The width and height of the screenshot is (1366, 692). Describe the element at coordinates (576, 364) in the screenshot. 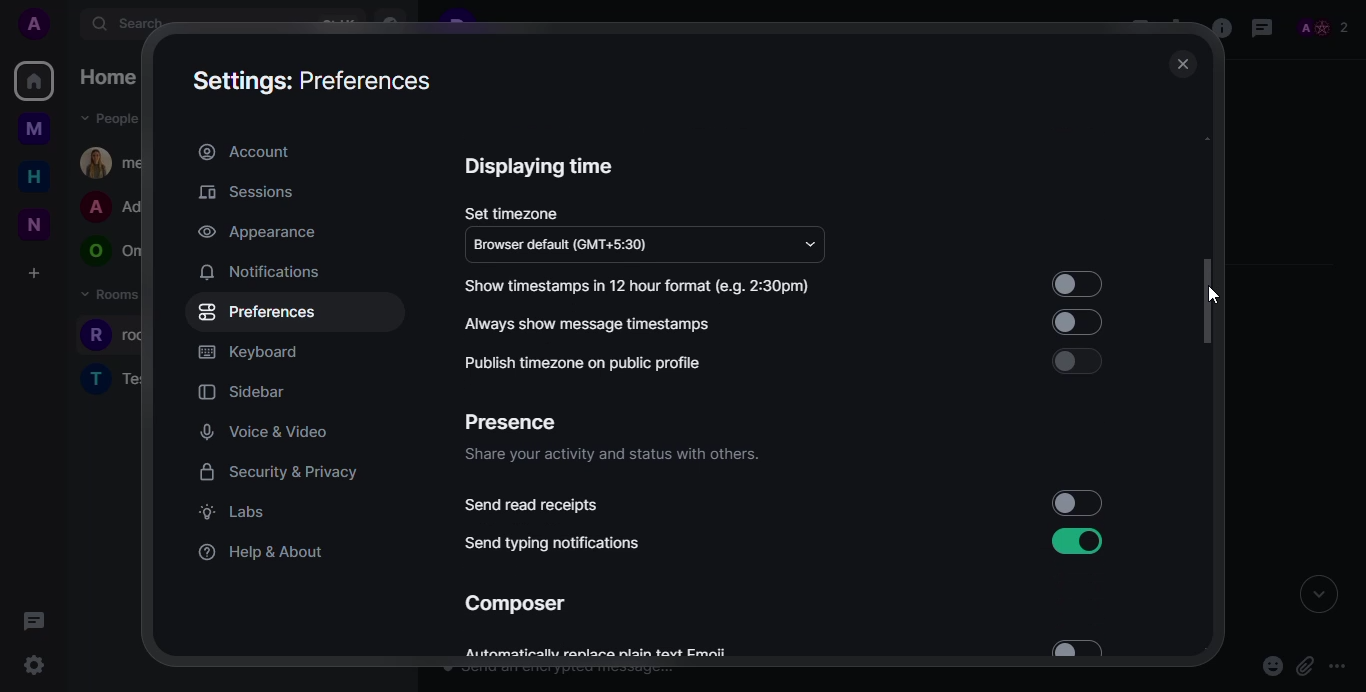

I see `Publish timezone on public profile` at that location.